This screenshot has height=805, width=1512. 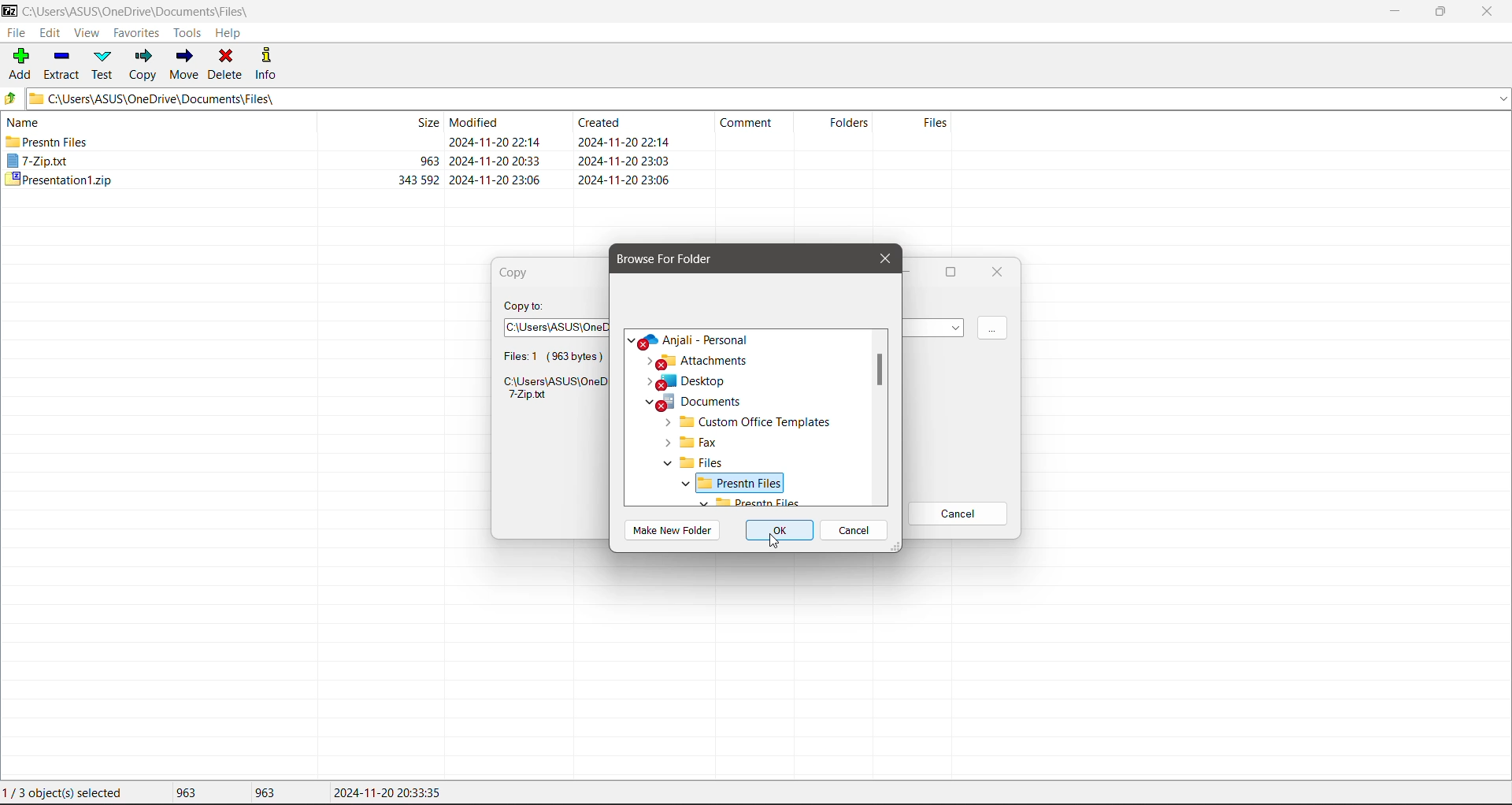 What do you see at coordinates (736, 483) in the screenshot?
I see `Selected Folder` at bounding box center [736, 483].